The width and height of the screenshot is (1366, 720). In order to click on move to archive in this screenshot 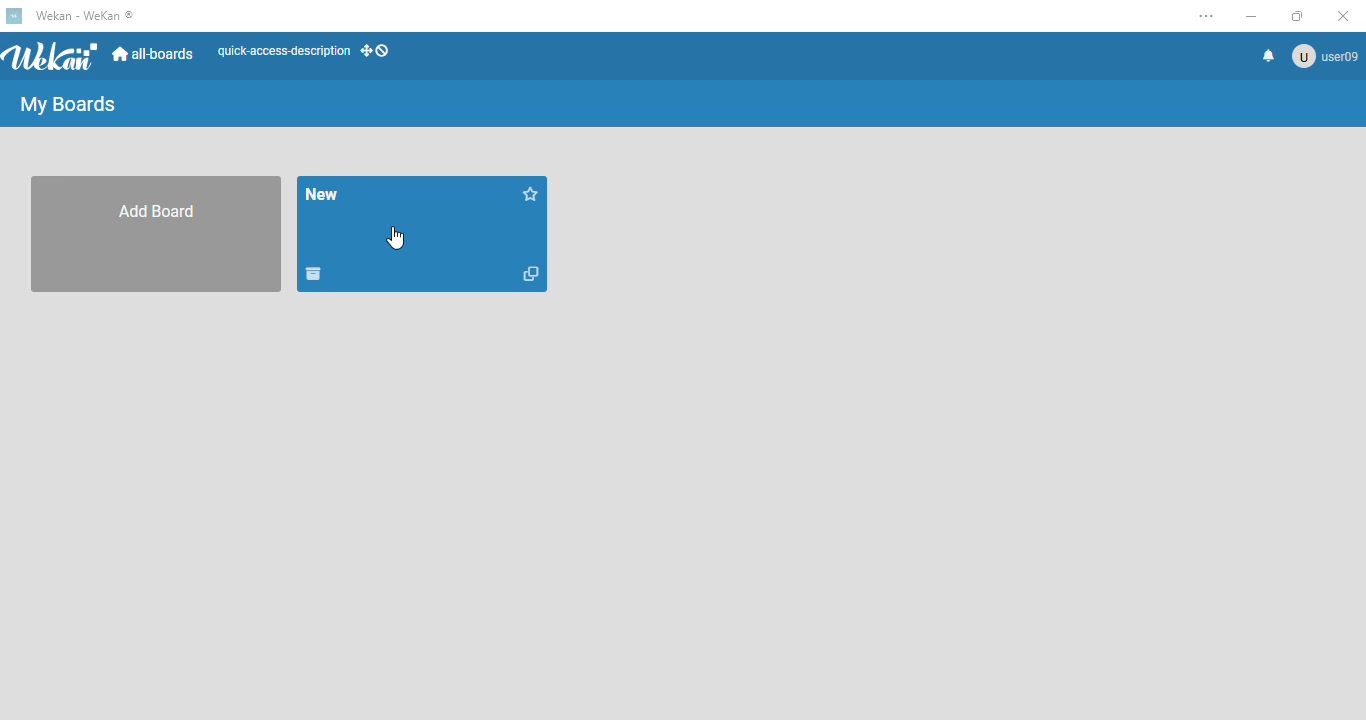, I will do `click(314, 274)`.